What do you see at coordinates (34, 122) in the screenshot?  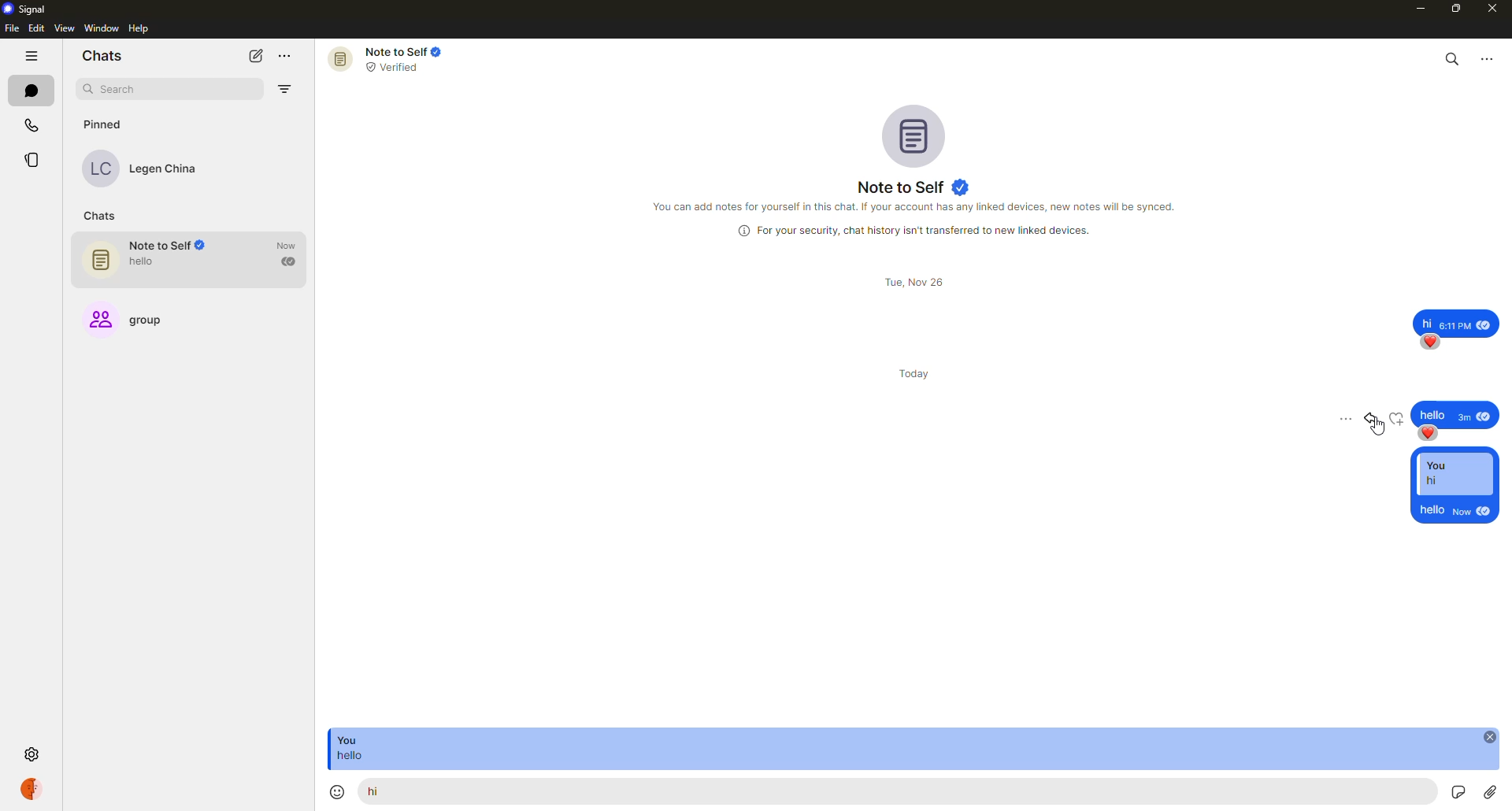 I see `calls` at bounding box center [34, 122].